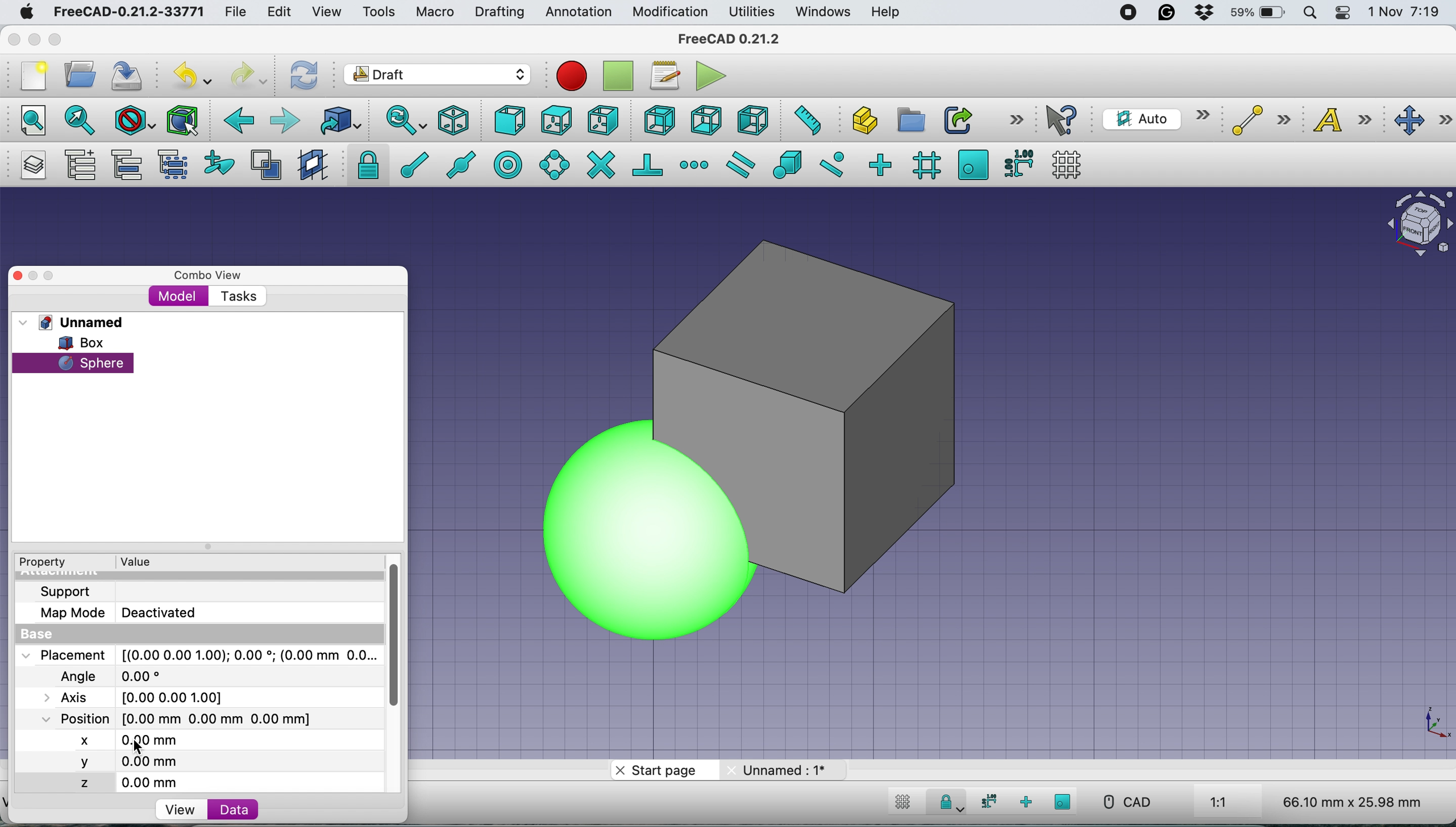 The image size is (1456, 827). What do you see at coordinates (222, 164) in the screenshot?
I see `add to construction group` at bounding box center [222, 164].